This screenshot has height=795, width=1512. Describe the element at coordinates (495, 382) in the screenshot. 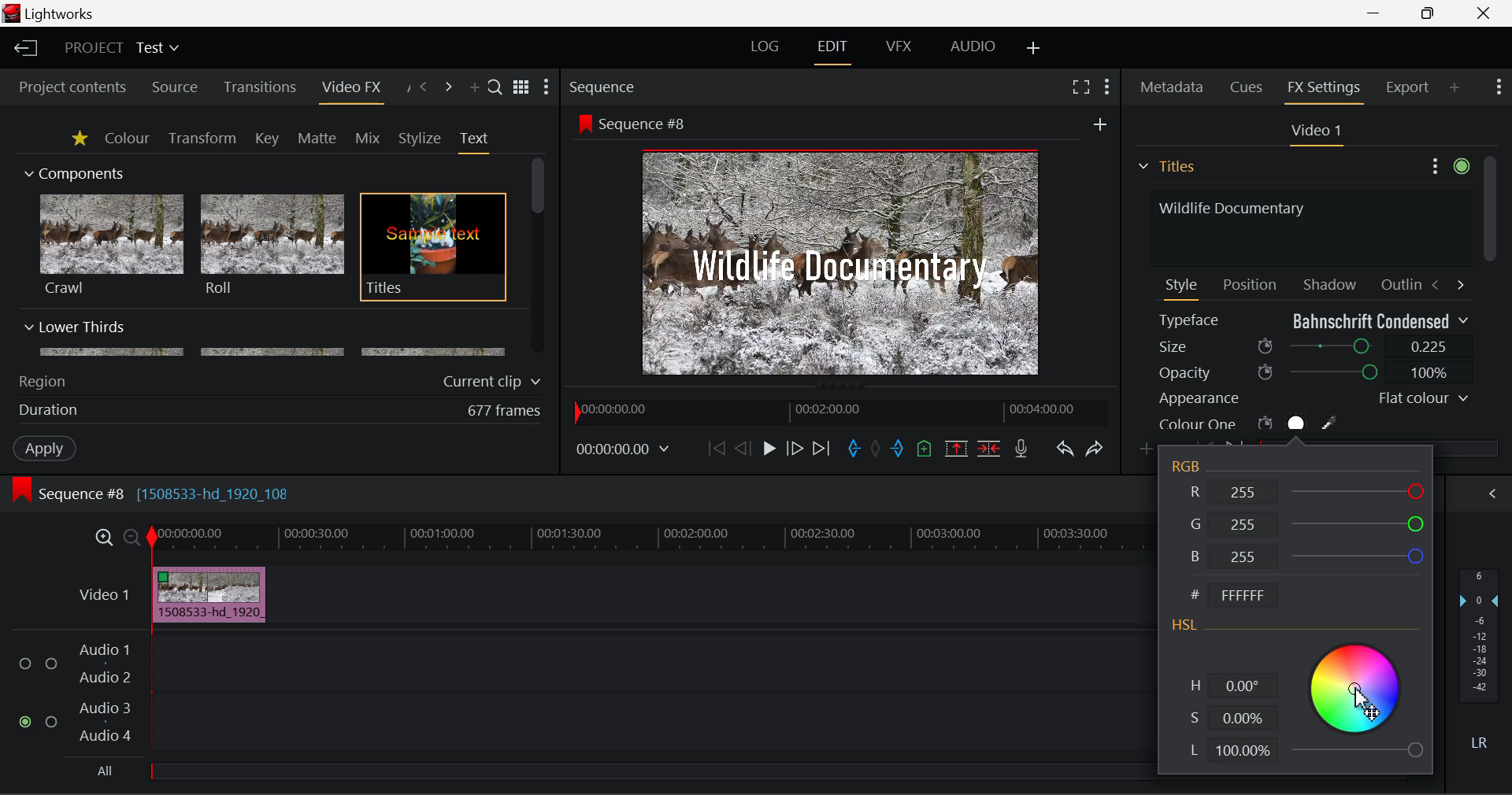

I see `Current clip` at that location.